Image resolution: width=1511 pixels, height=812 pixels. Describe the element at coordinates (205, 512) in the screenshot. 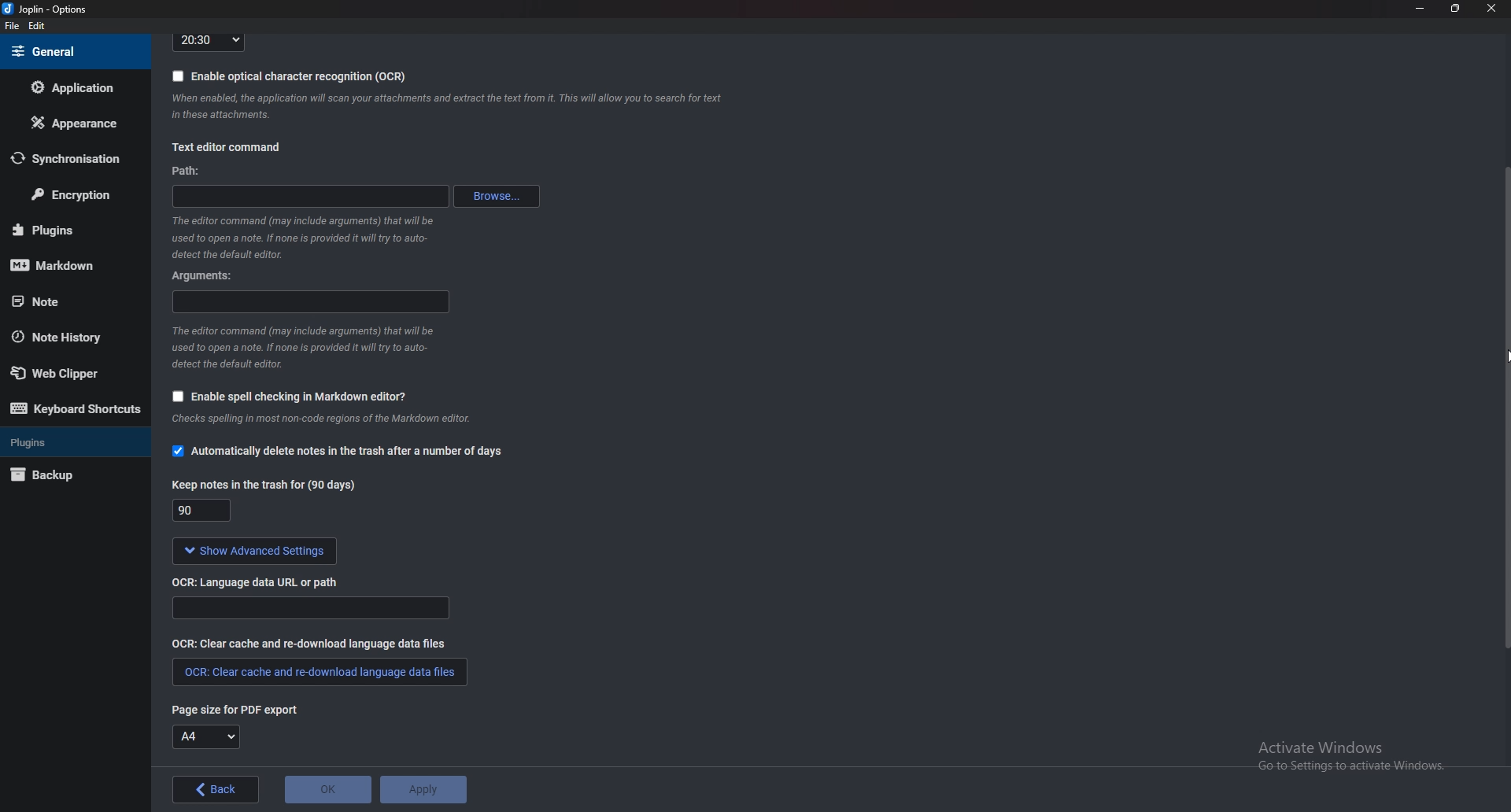

I see `Keep notes in the trash for` at that location.